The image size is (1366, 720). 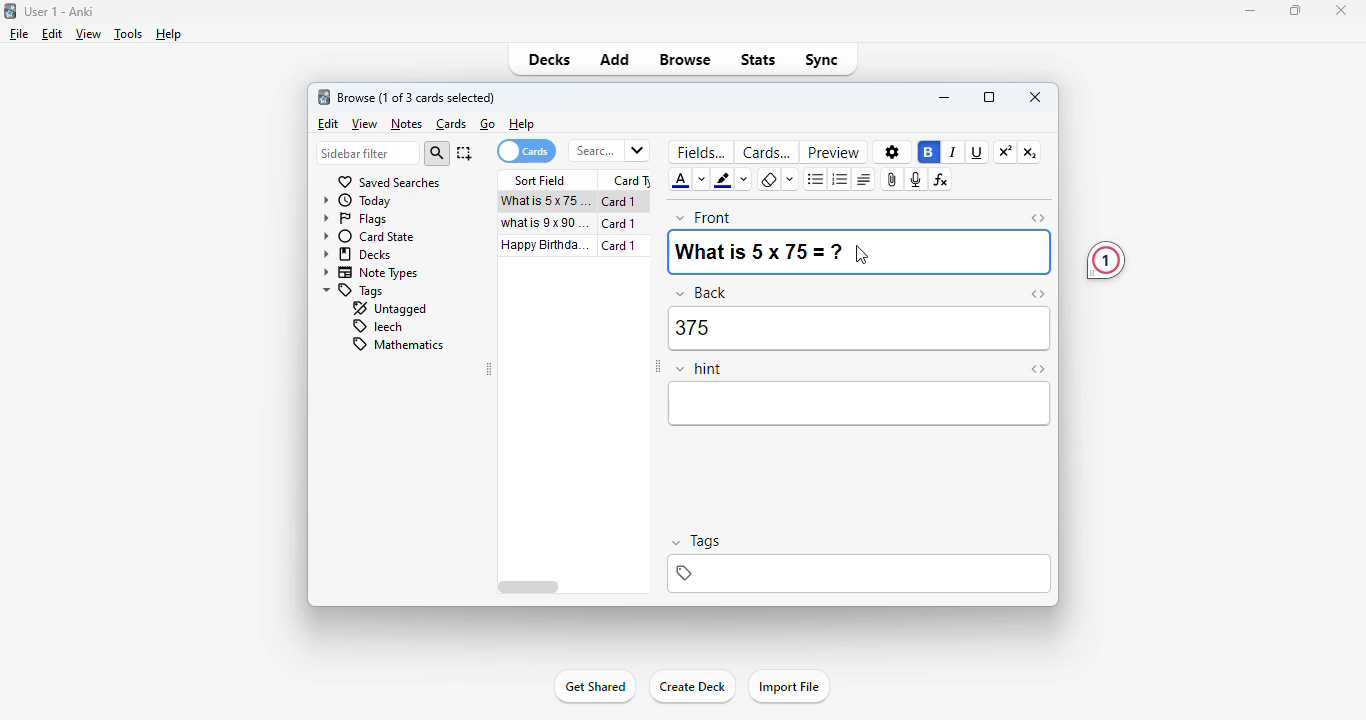 What do you see at coordinates (10, 11) in the screenshot?
I see `logo` at bounding box center [10, 11].